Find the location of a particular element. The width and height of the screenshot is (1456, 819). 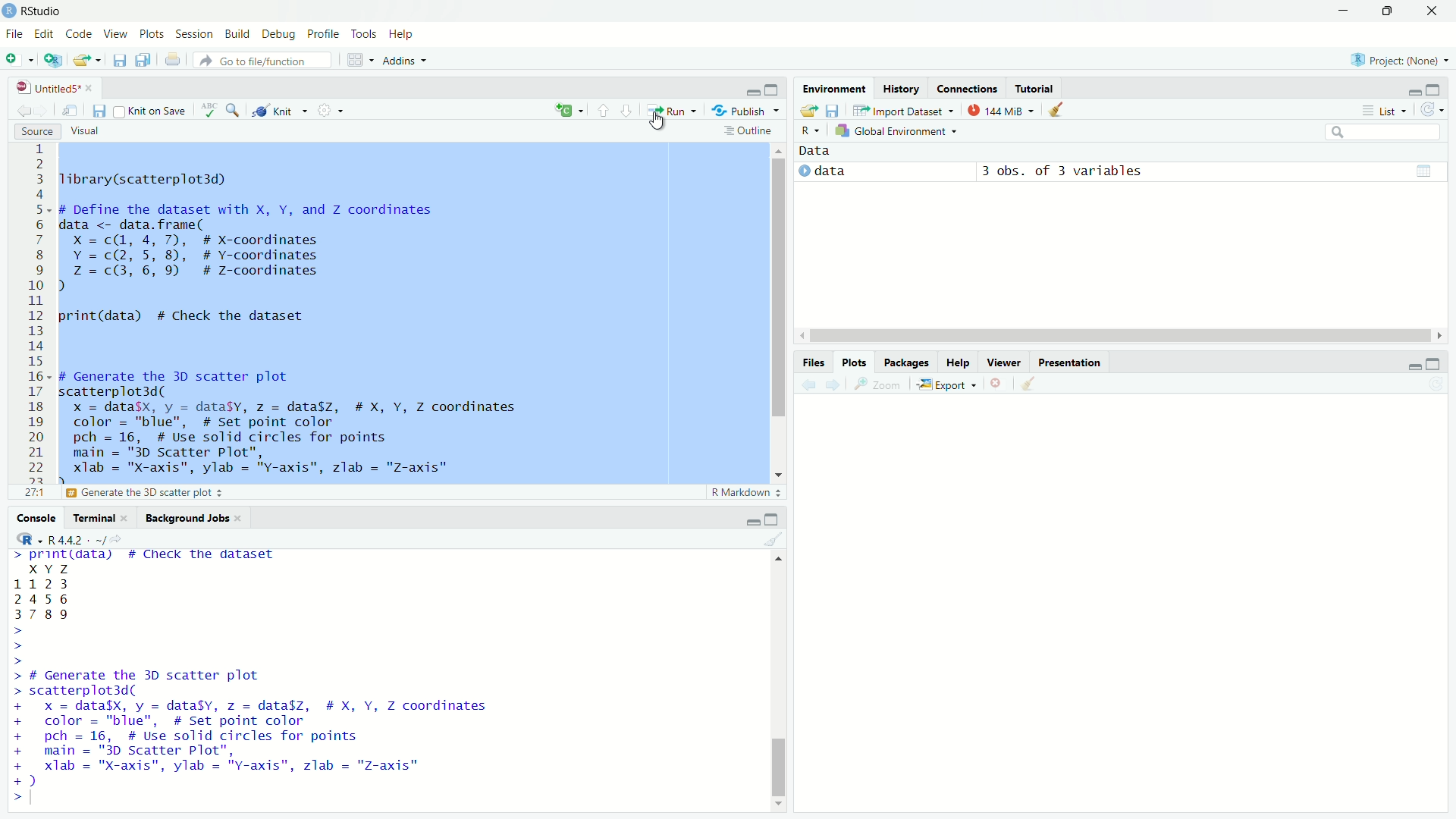

empty plot area is located at coordinates (1133, 605).